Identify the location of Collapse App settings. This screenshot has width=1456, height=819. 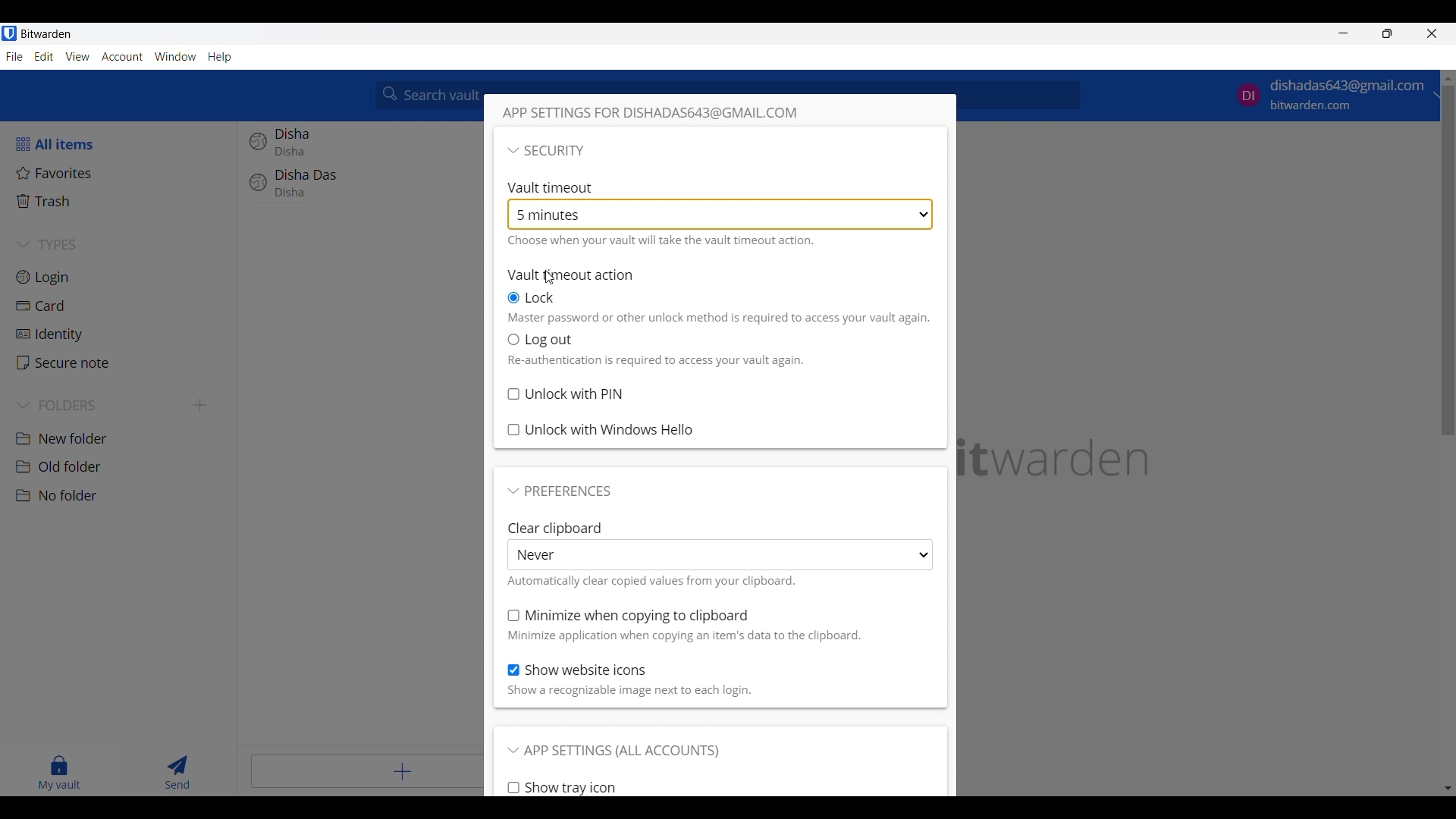
(613, 752).